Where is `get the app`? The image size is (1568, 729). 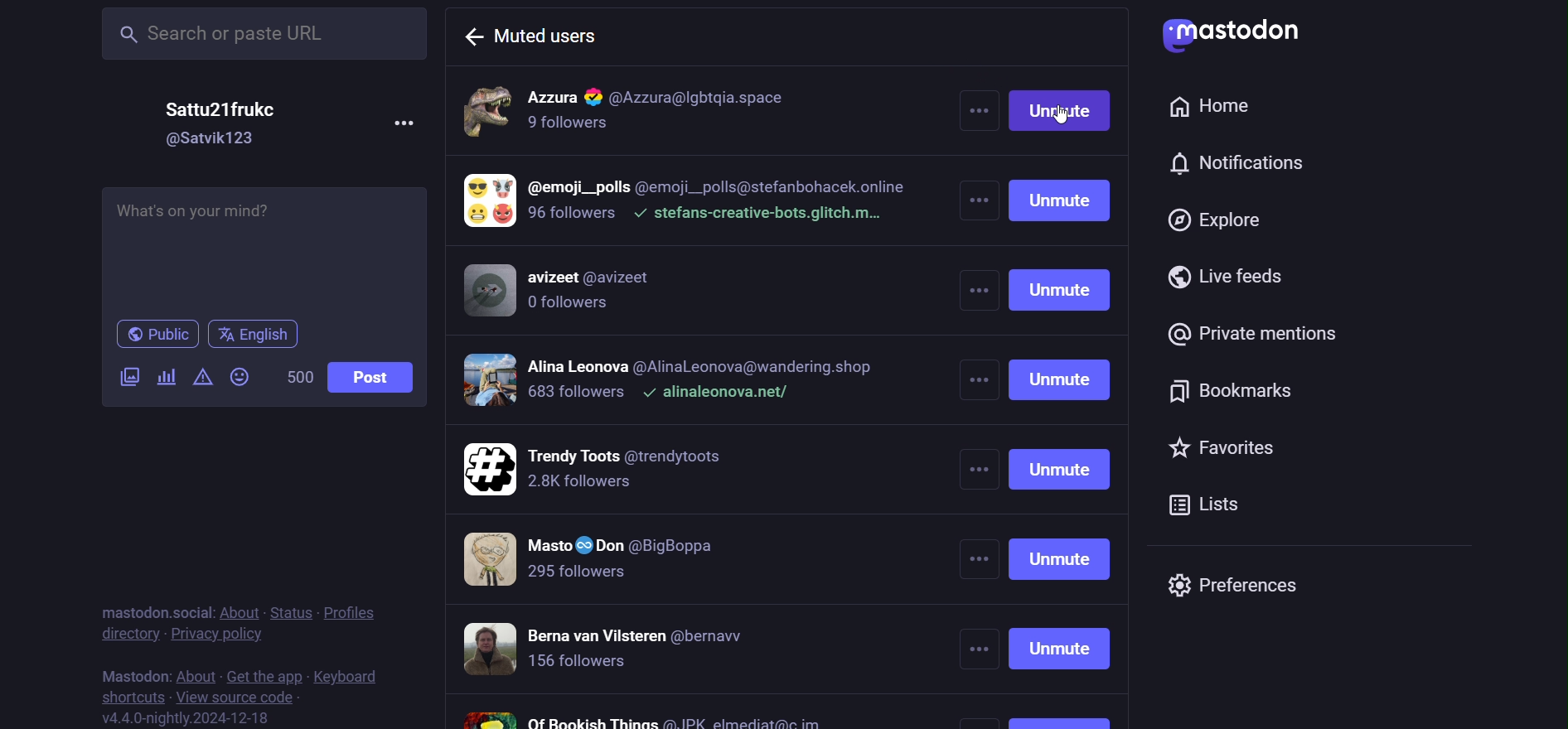
get the app is located at coordinates (263, 675).